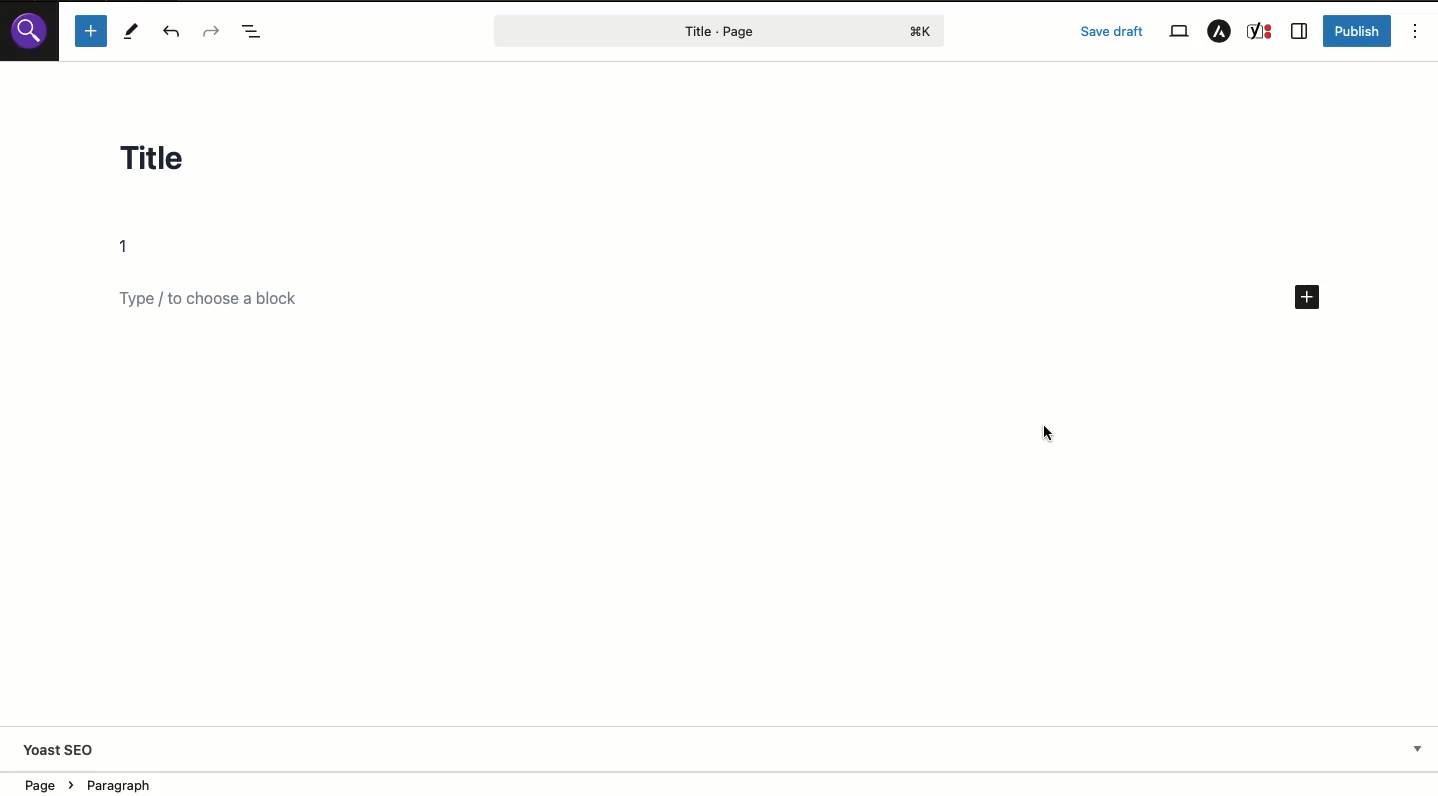  Describe the element at coordinates (1359, 31) in the screenshot. I see `Publish` at that location.